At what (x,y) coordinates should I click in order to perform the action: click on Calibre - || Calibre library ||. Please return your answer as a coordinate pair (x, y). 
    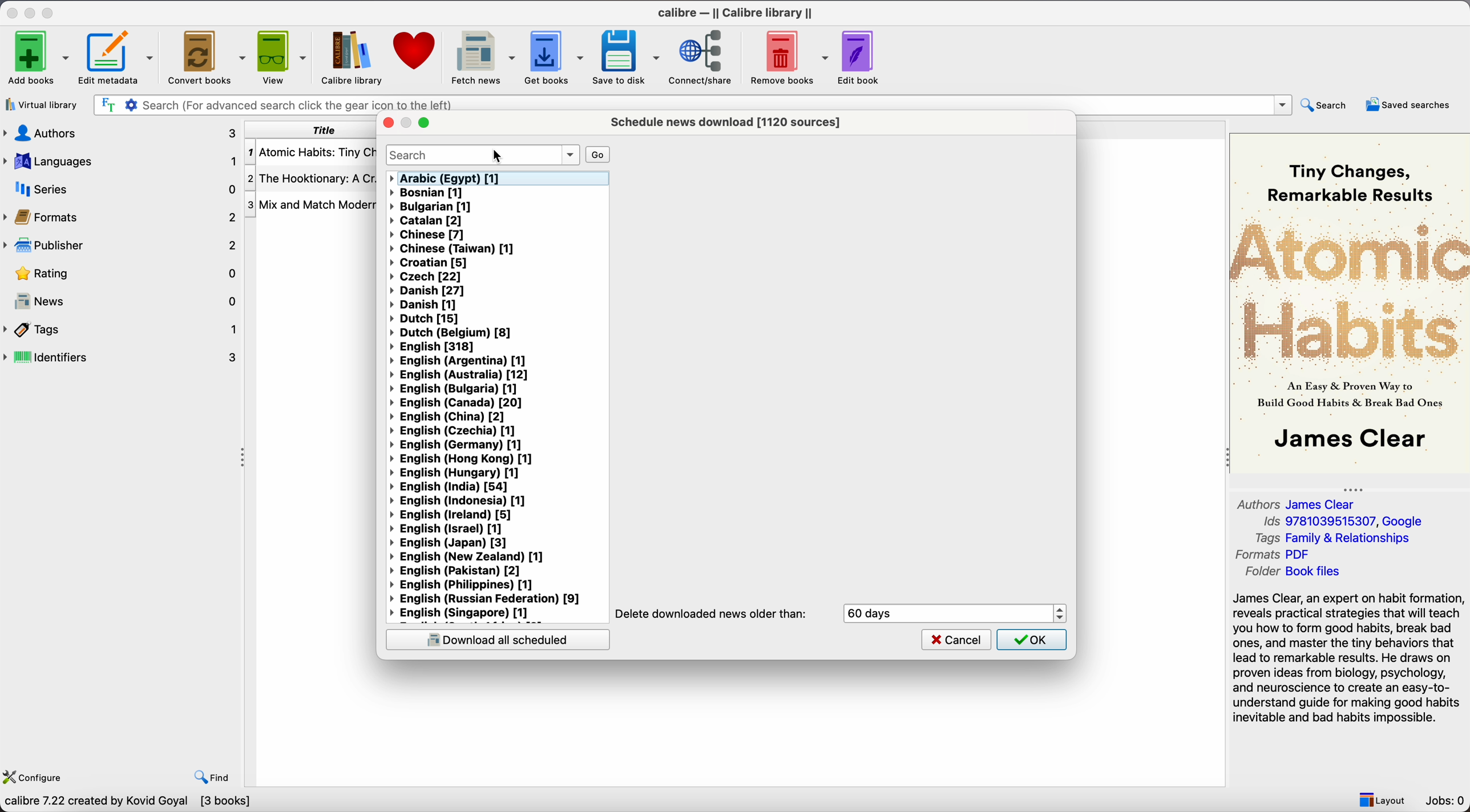
    Looking at the image, I should click on (738, 12).